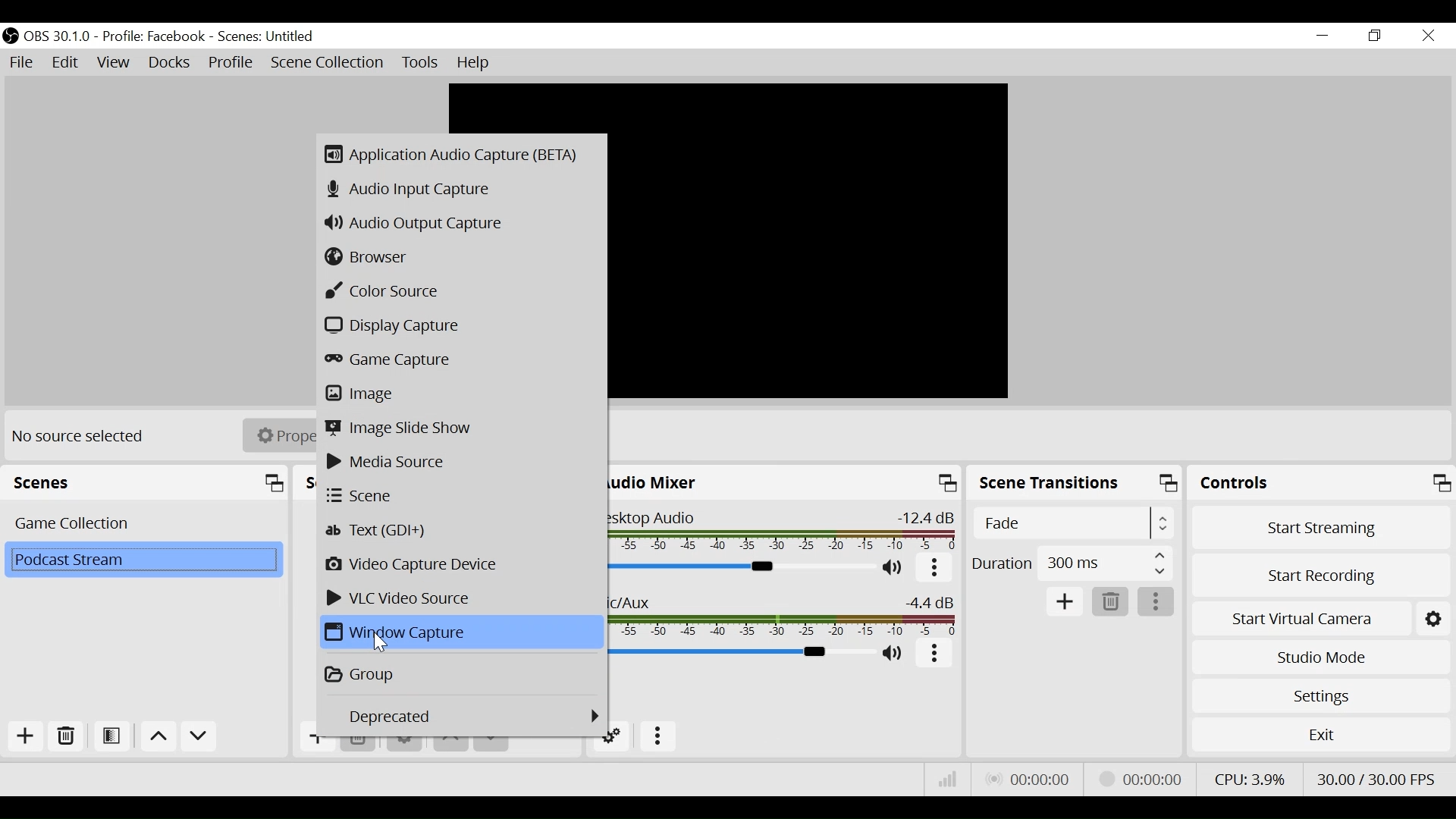 Image resolution: width=1456 pixels, height=819 pixels. I want to click on move up, so click(453, 743).